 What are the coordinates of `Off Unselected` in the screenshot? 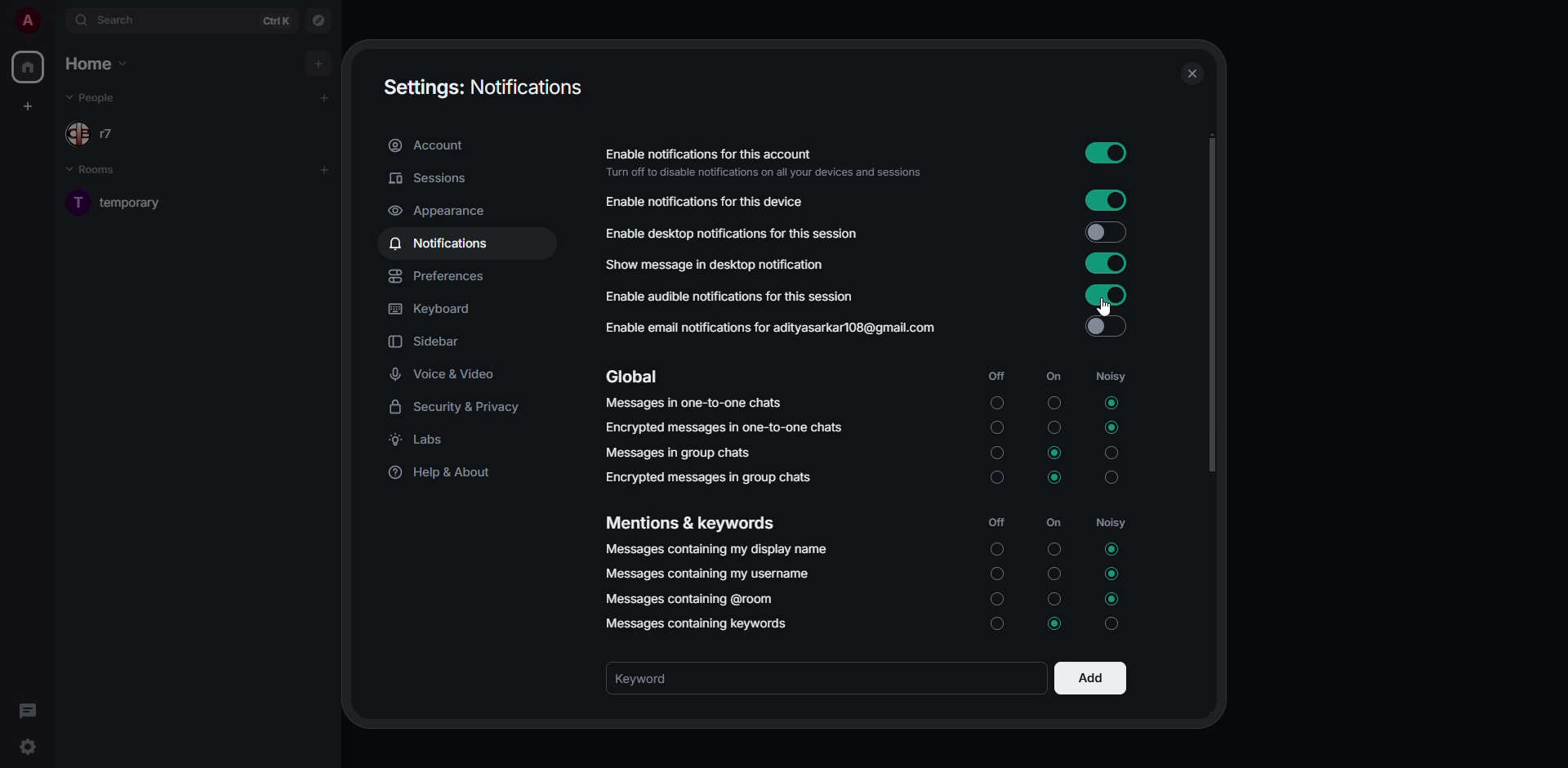 It's located at (996, 598).